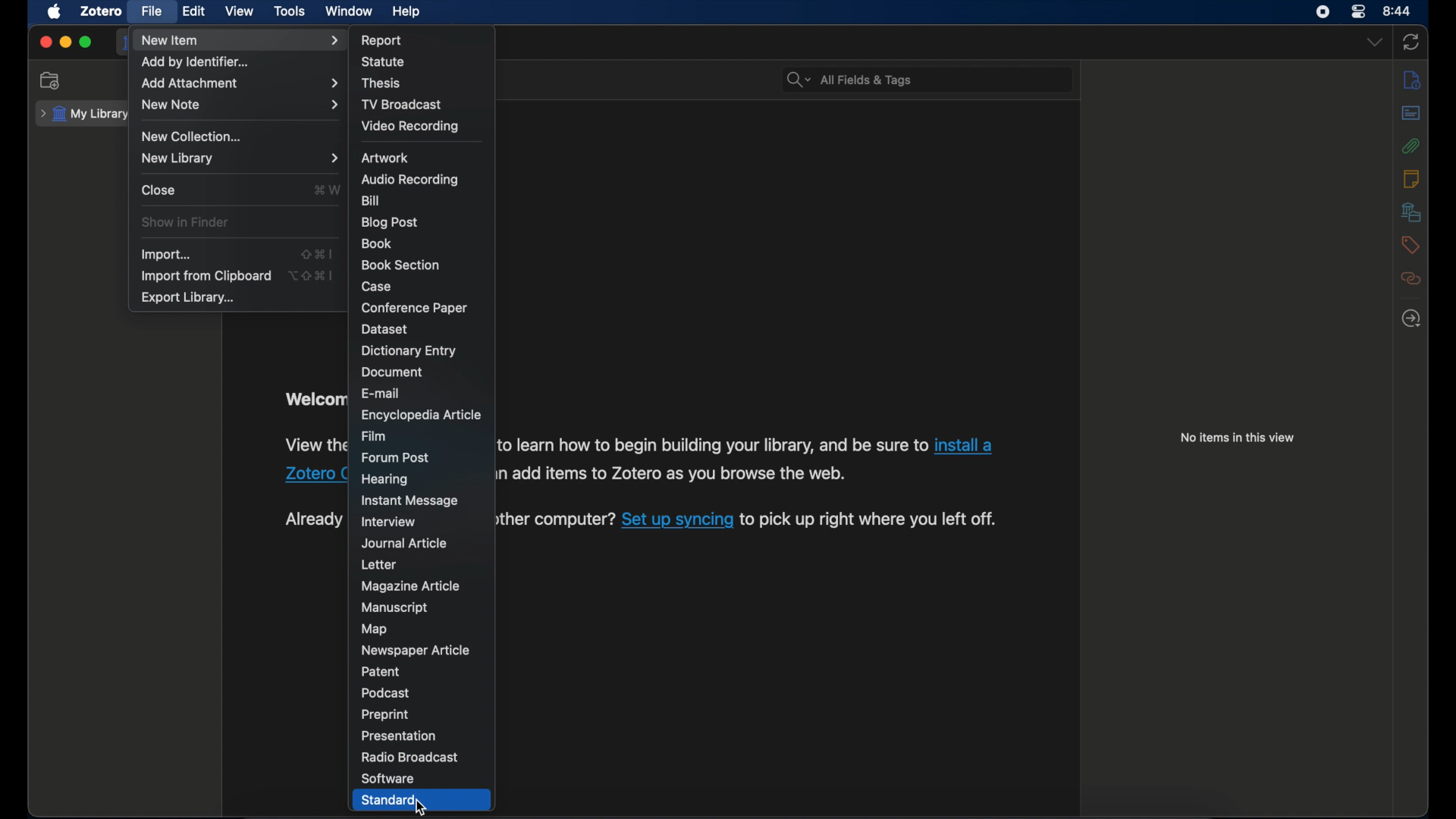 Image resolution: width=1456 pixels, height=819 pixels. Describe the element at coordinates (1412, 81) in the screenshot. I see `info` at that location.